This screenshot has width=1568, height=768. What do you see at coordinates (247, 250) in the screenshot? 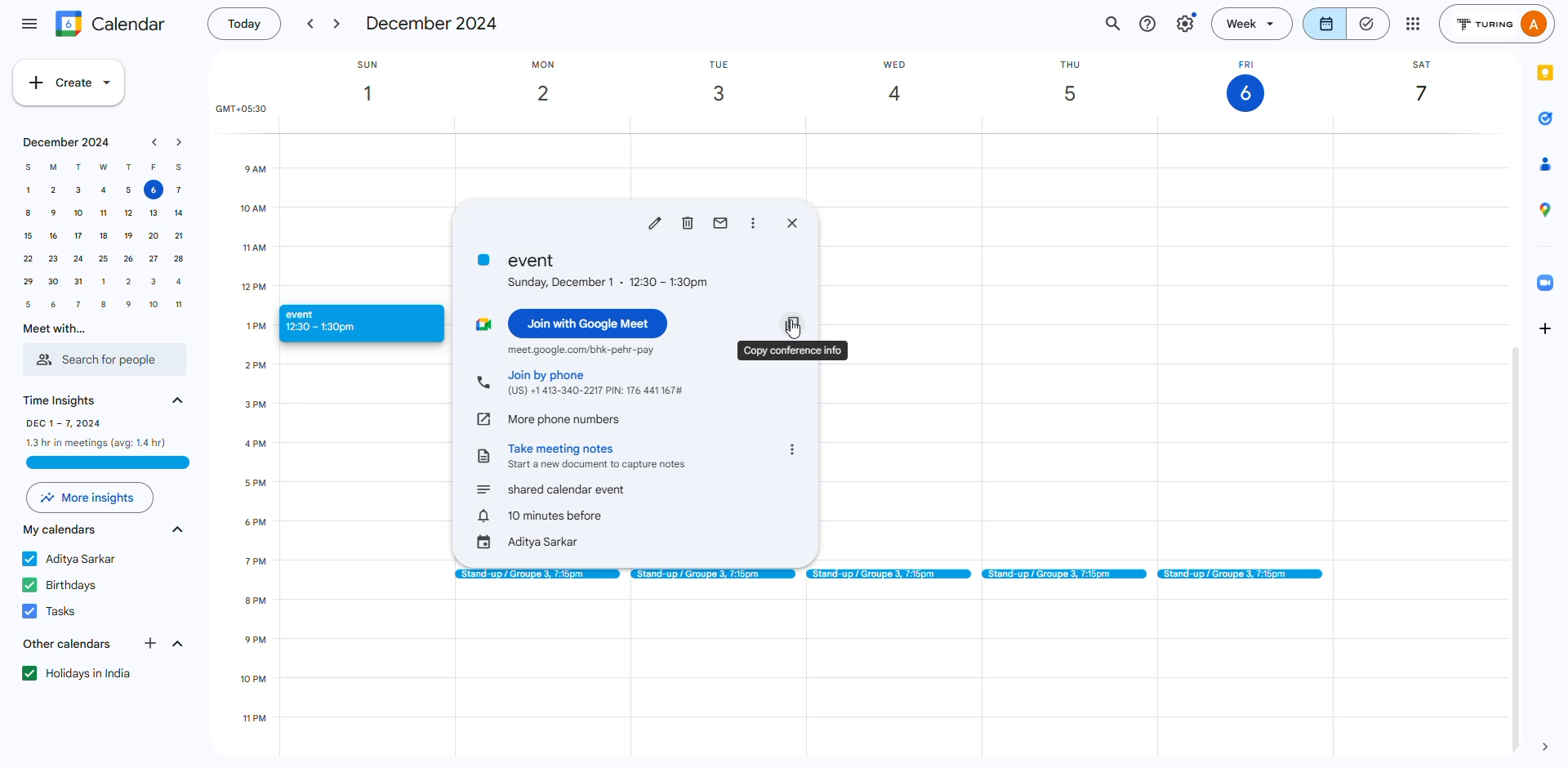
I see `time` at bounding box center [247, 250].